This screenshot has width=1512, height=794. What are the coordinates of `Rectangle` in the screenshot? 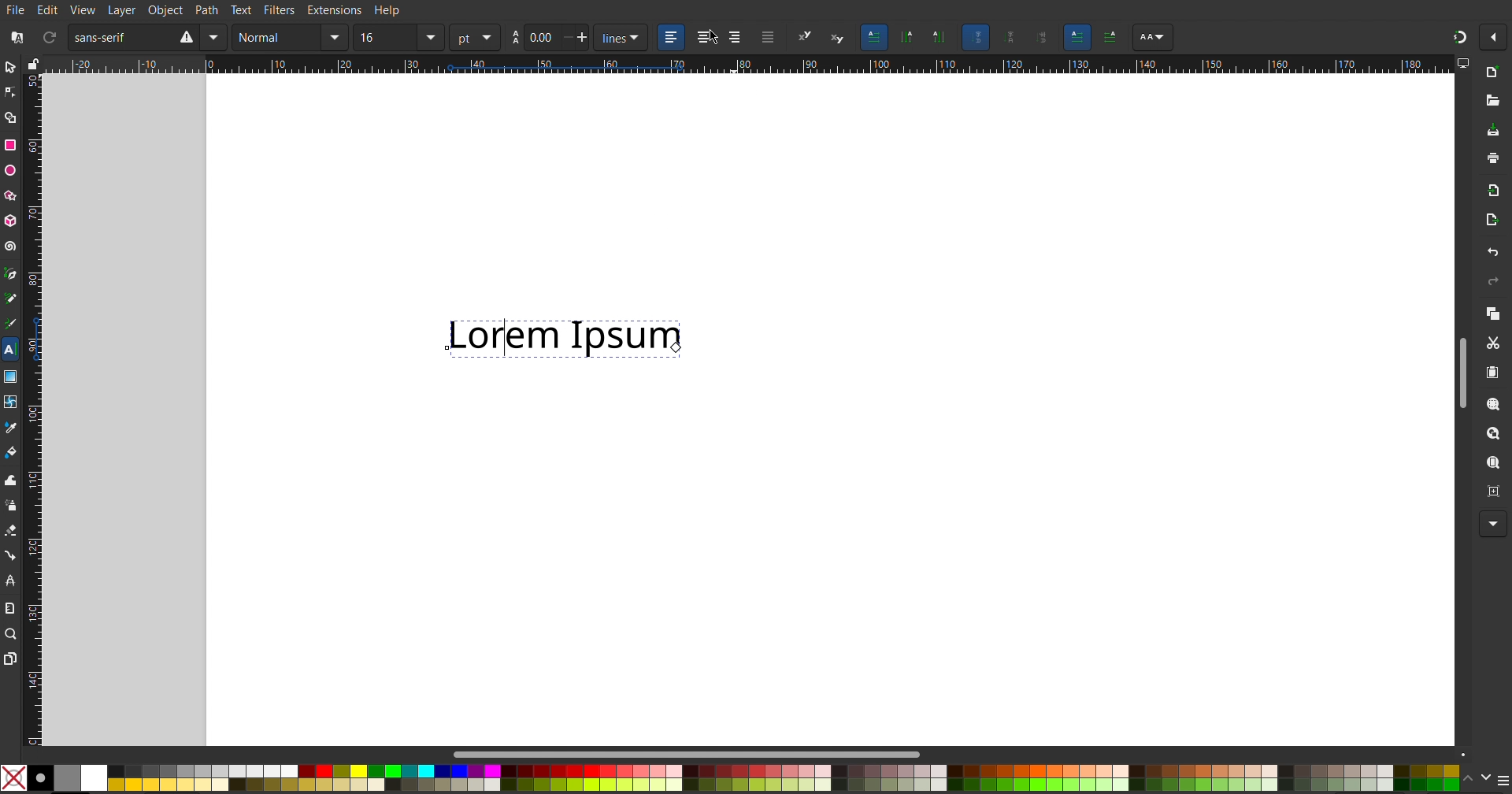 It's located at (10, 144).